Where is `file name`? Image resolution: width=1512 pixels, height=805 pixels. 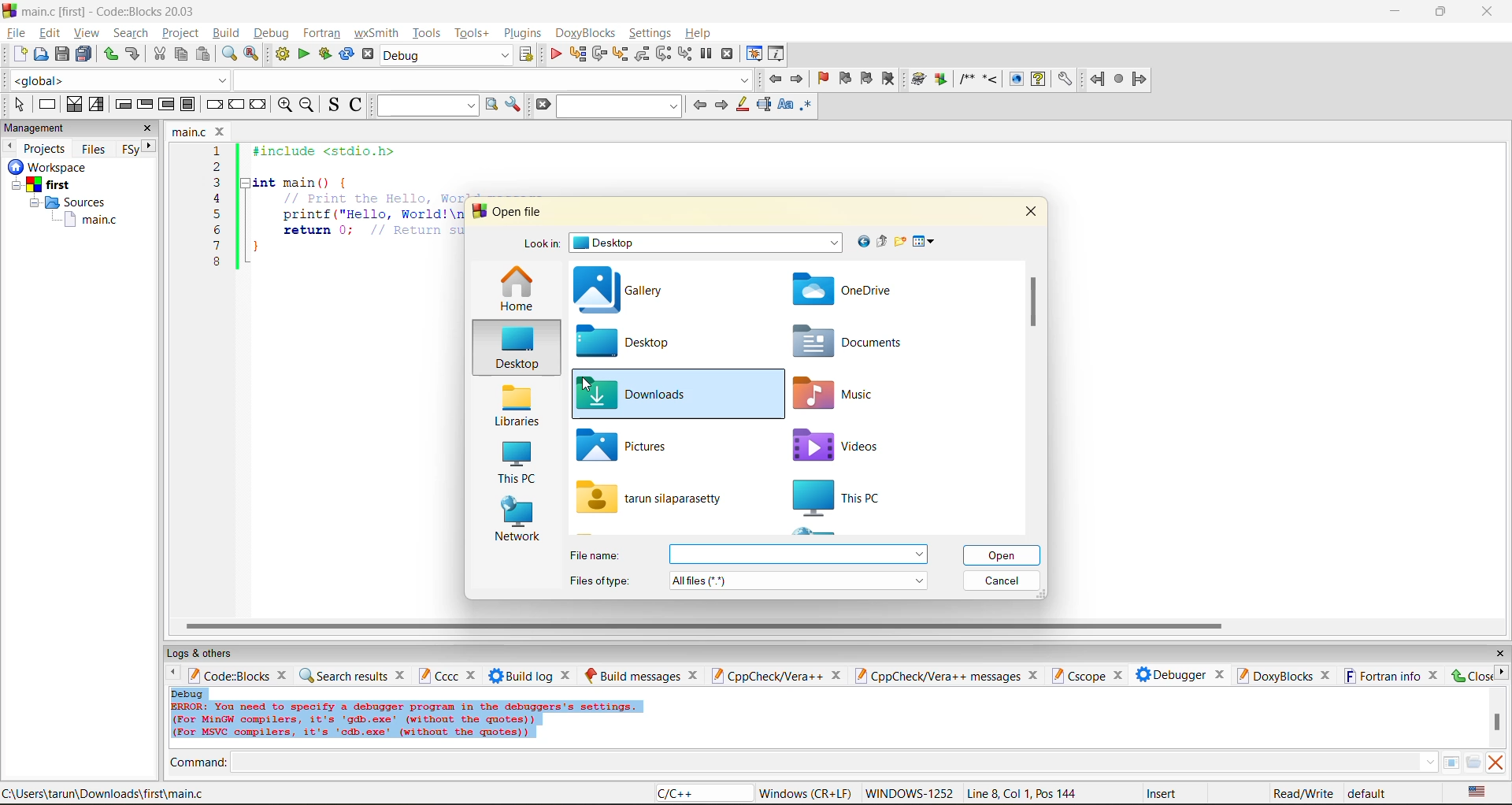
file name is located at coordinates (652, 497).